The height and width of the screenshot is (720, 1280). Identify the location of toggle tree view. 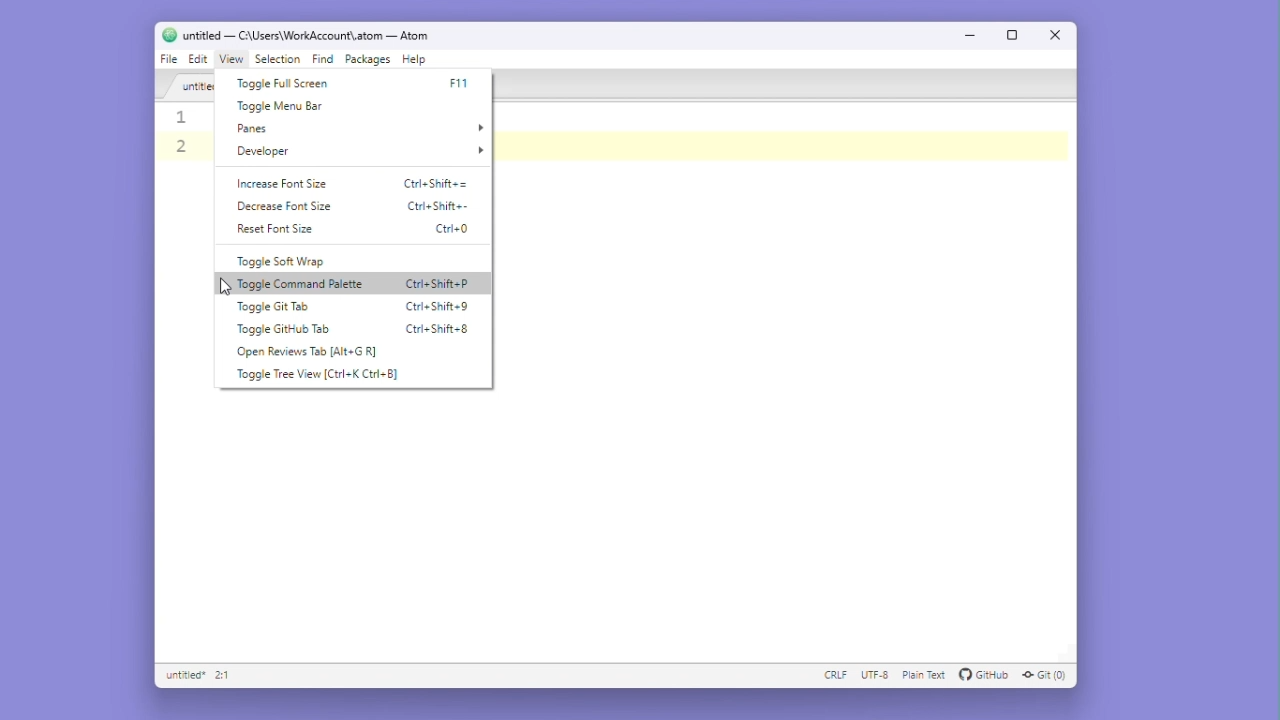
(321, 378).